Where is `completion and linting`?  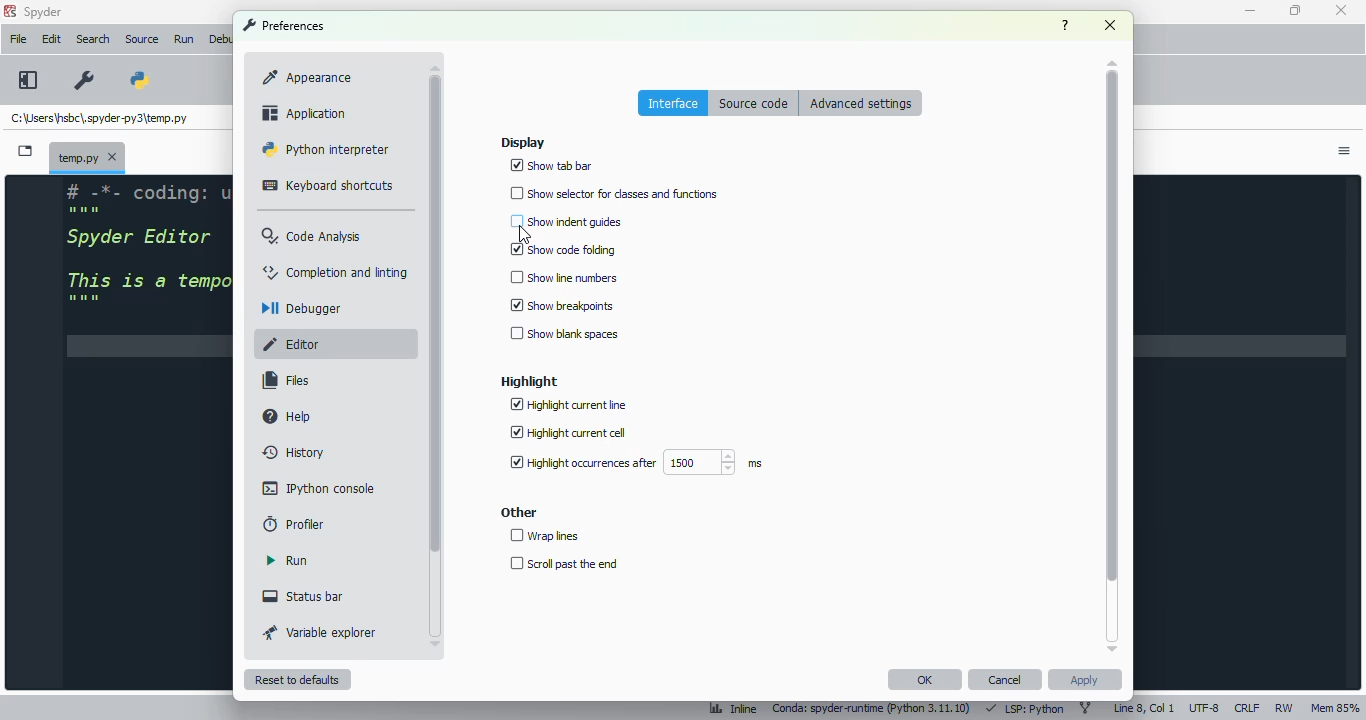
completion and linting is located at coordinates (335, 272).